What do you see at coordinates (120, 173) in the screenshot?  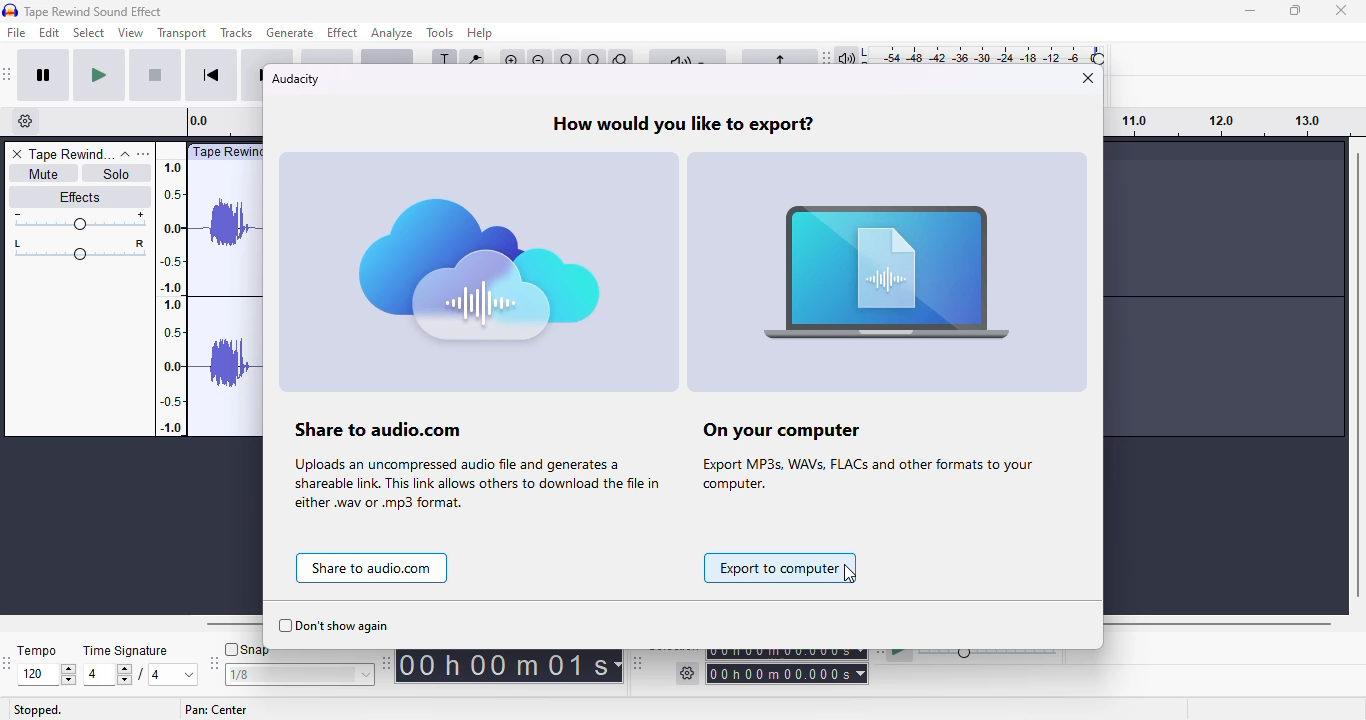 I see `solo` at bounding box center [120, 173].